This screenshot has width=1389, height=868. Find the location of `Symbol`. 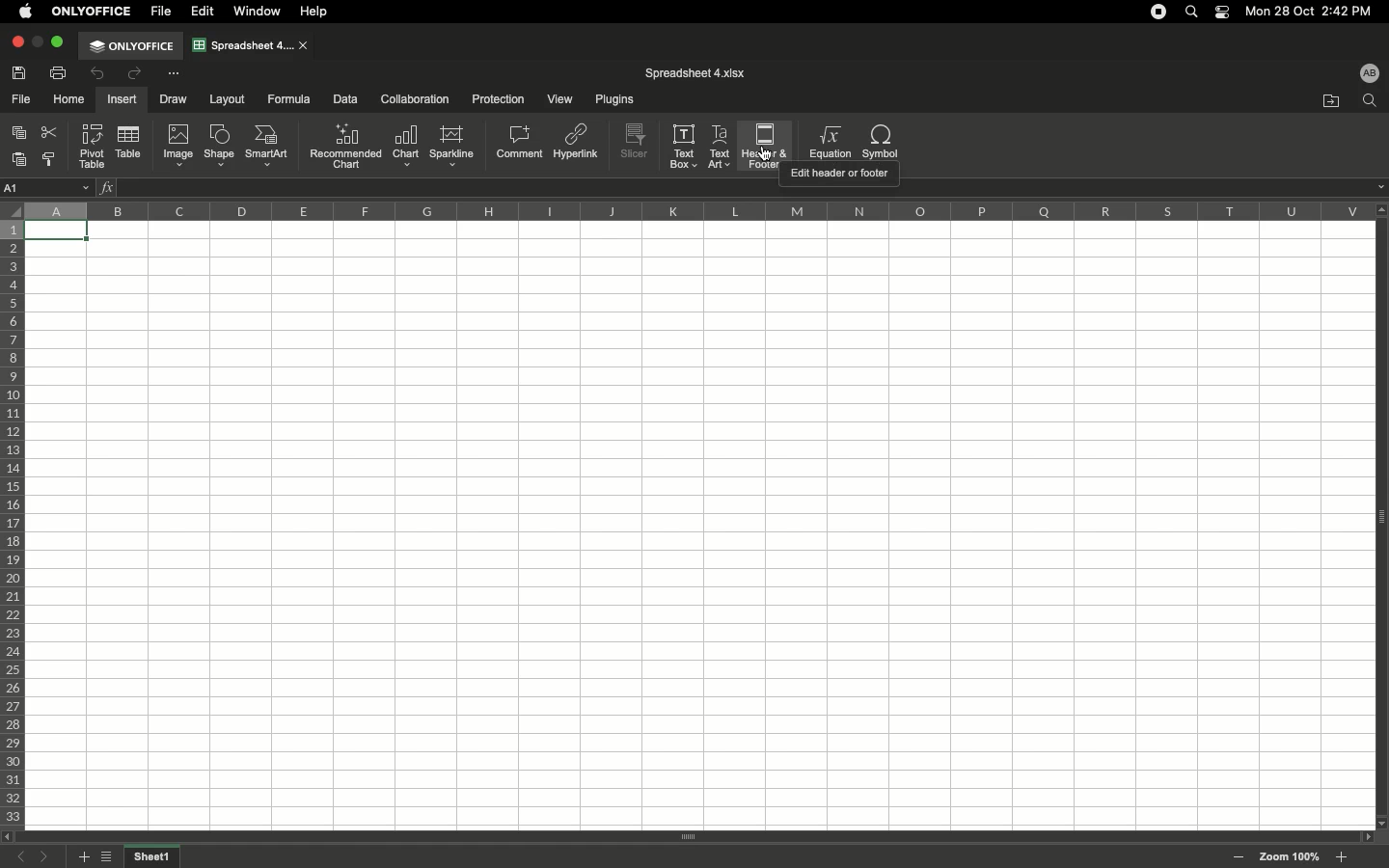

Symbol is located at coordinates (881, 141).